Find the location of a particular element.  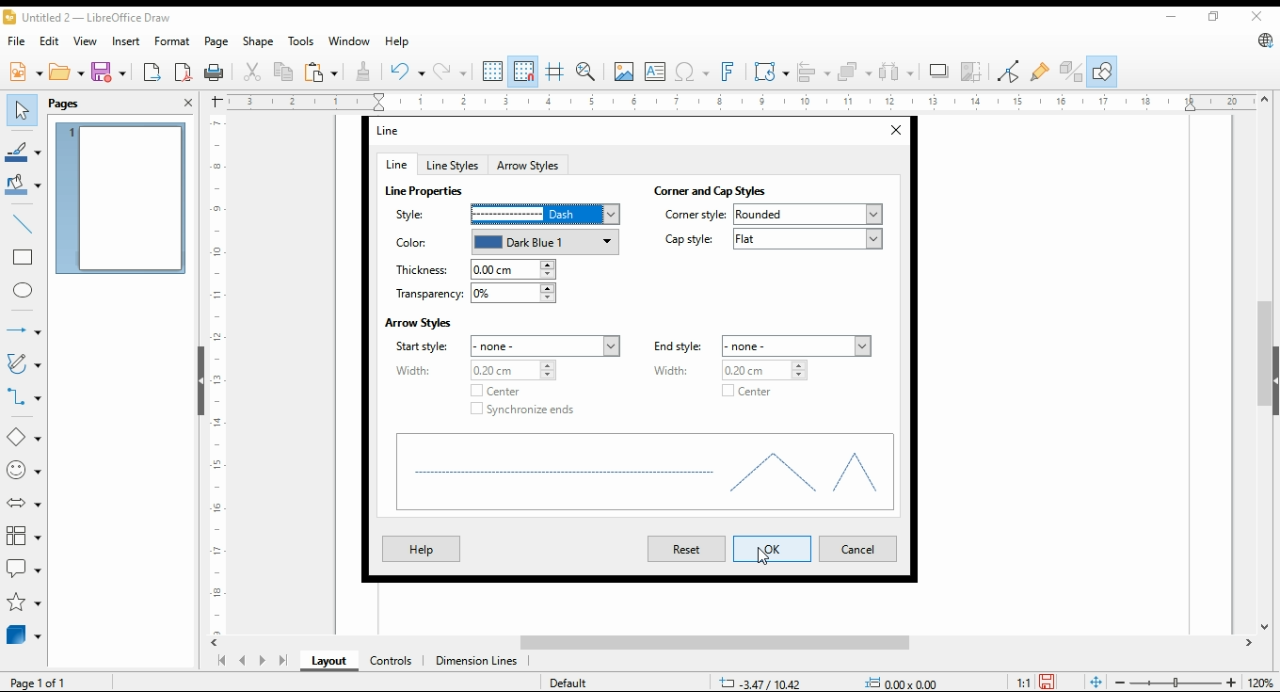

shadow is located at coordinates (939, 71).